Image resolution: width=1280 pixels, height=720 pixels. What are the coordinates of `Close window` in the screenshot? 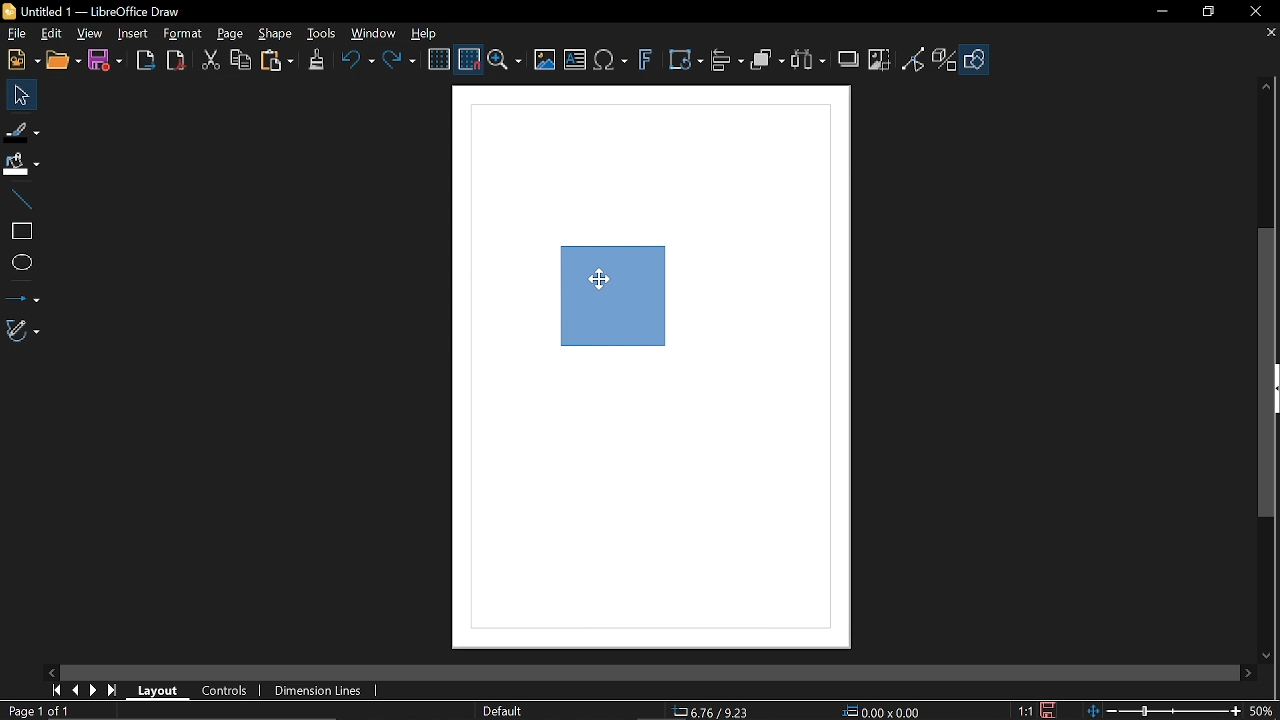 It's located at (1255, 12).